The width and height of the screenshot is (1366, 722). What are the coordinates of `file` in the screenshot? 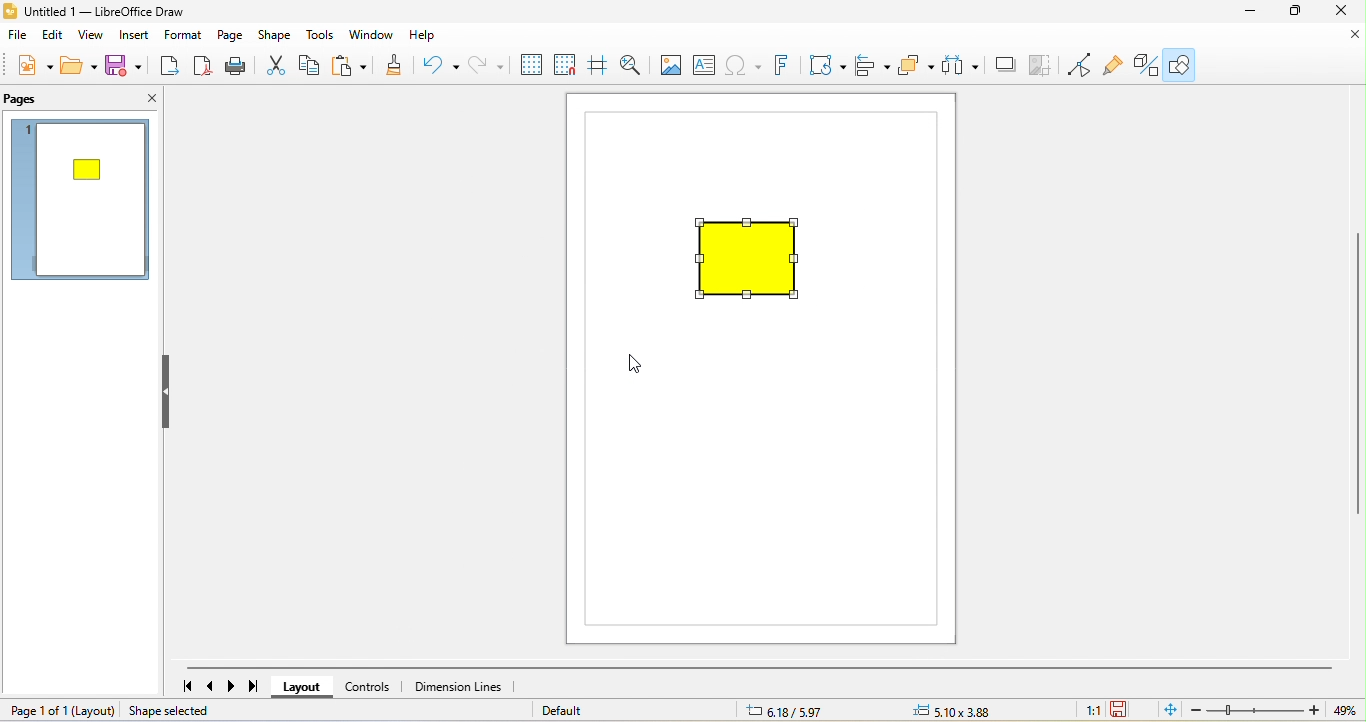 It's located at (19, 34).